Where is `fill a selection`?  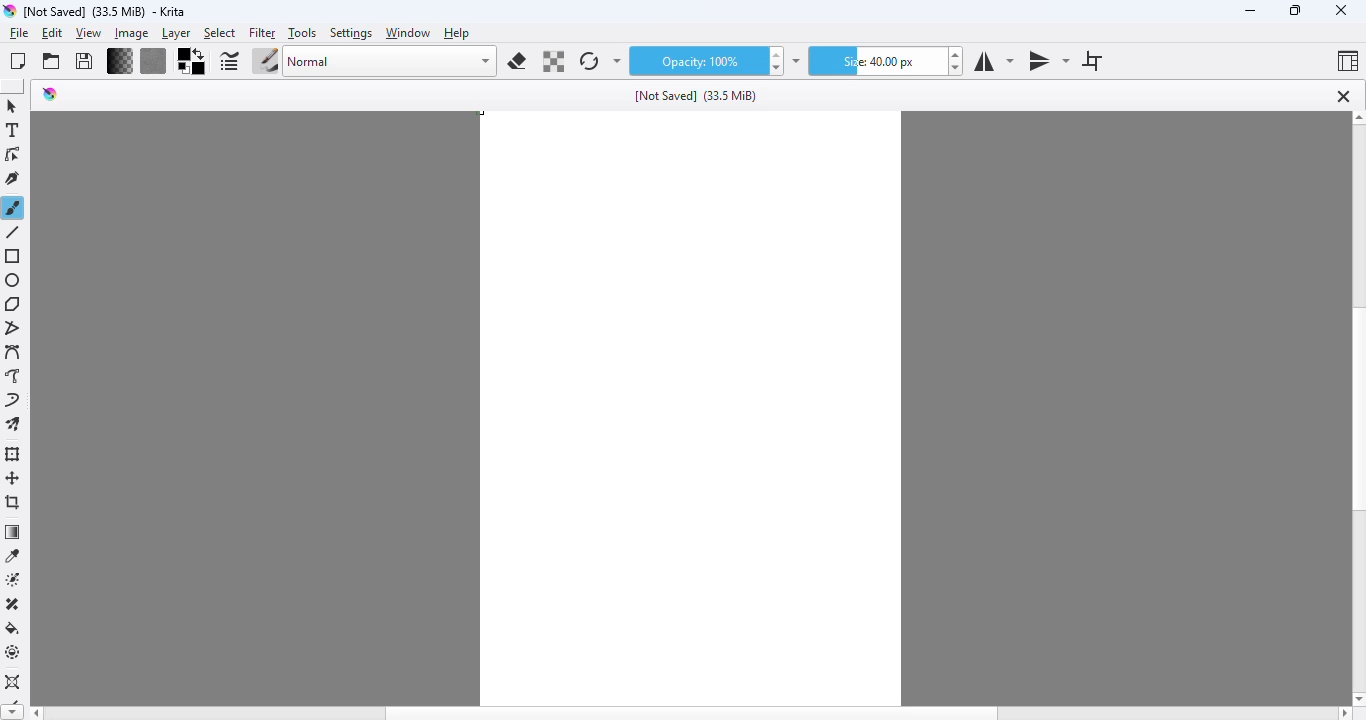
fill a selection is located at coordinates (14, 629).